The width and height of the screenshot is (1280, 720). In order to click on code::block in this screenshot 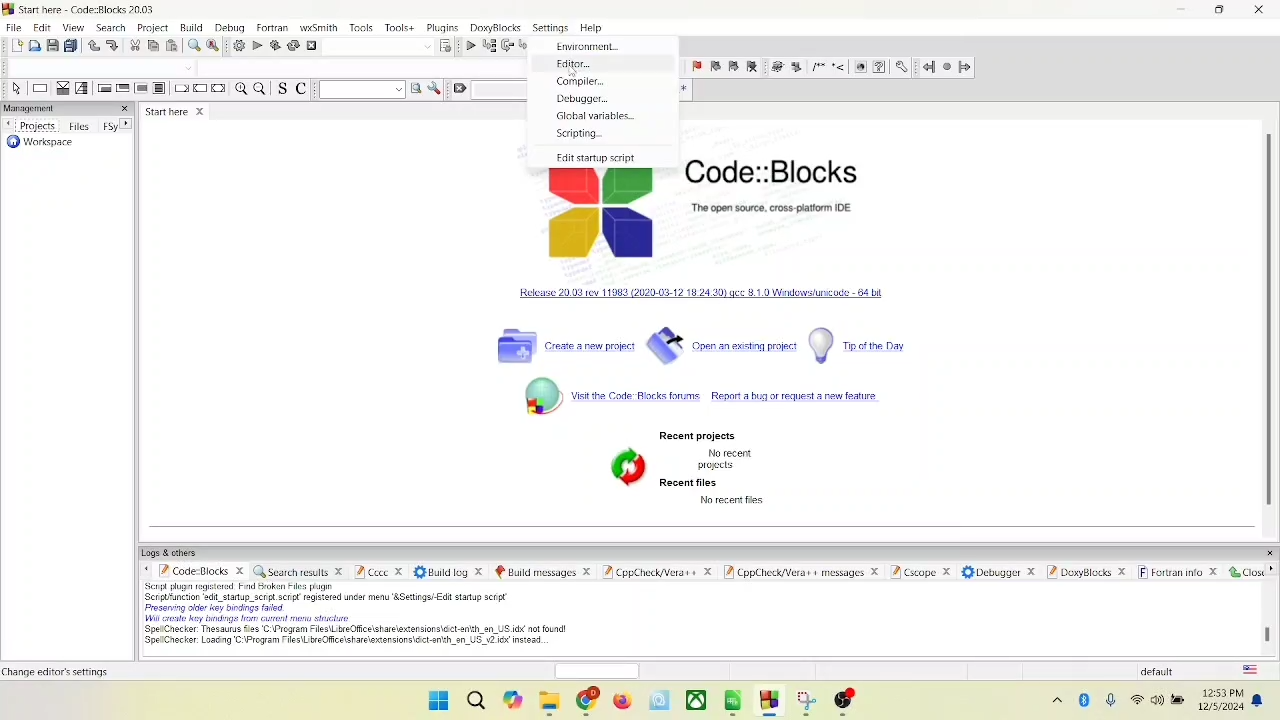, I will do `click(91, 8)`.